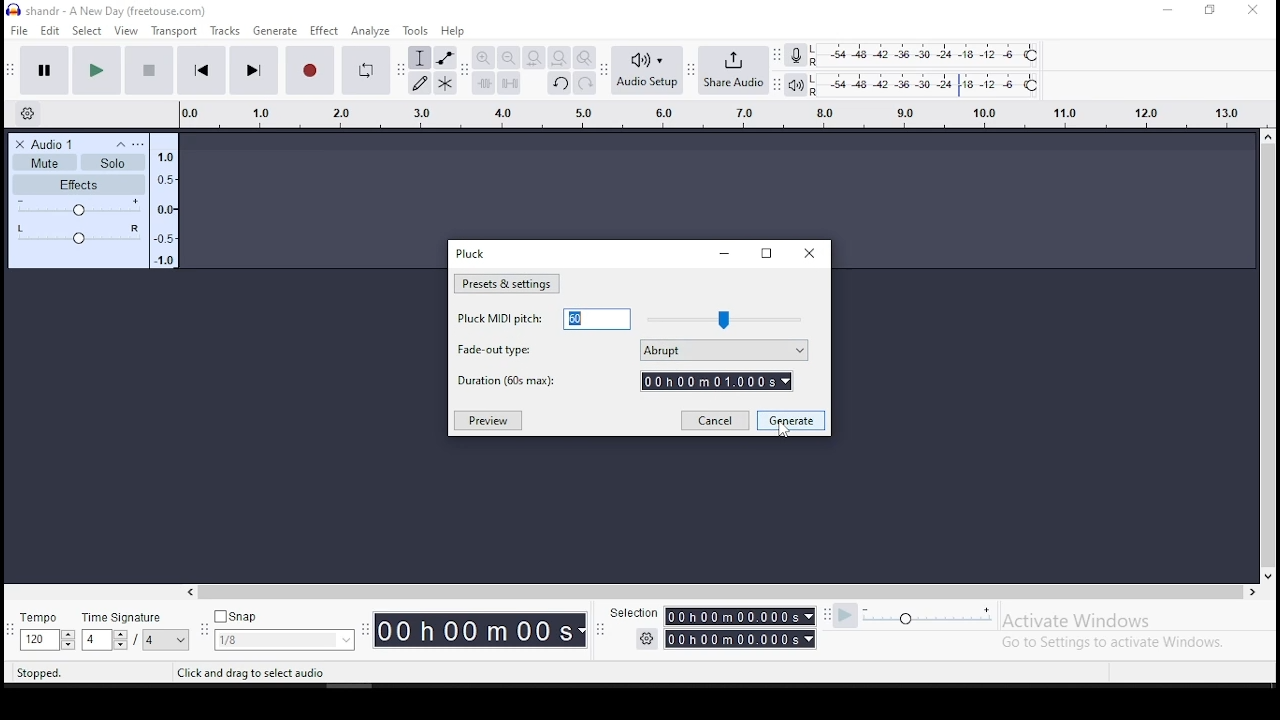 The width and height of the screenshot is (1280, 720). What do you see at coordinates (418, 30) in the screenshot?
I see `tools` at bounding box center [418, 30].